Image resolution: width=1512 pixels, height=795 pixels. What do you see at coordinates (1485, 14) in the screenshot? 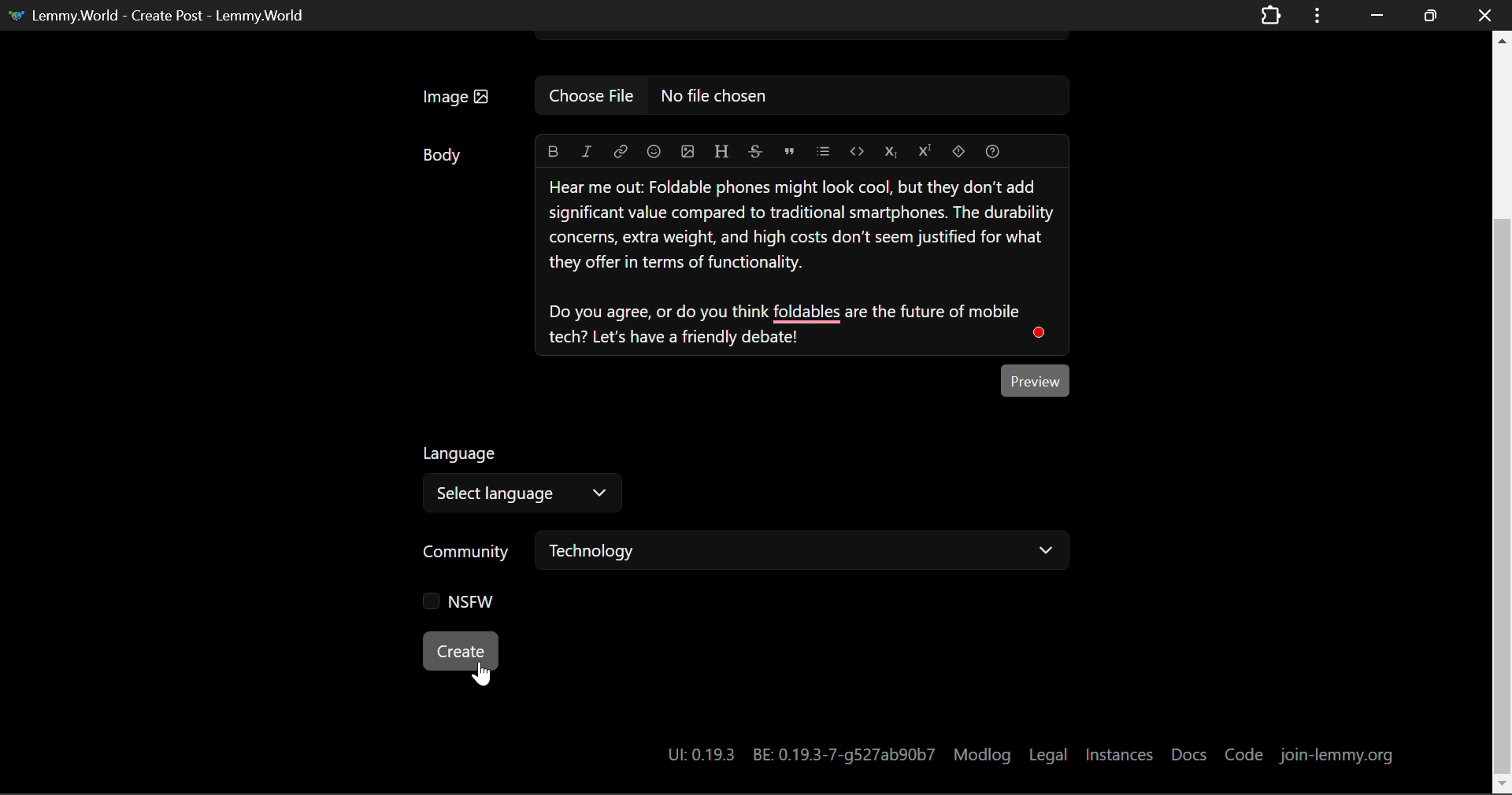
I see `Close Window` at bounding box center [1485, 14].